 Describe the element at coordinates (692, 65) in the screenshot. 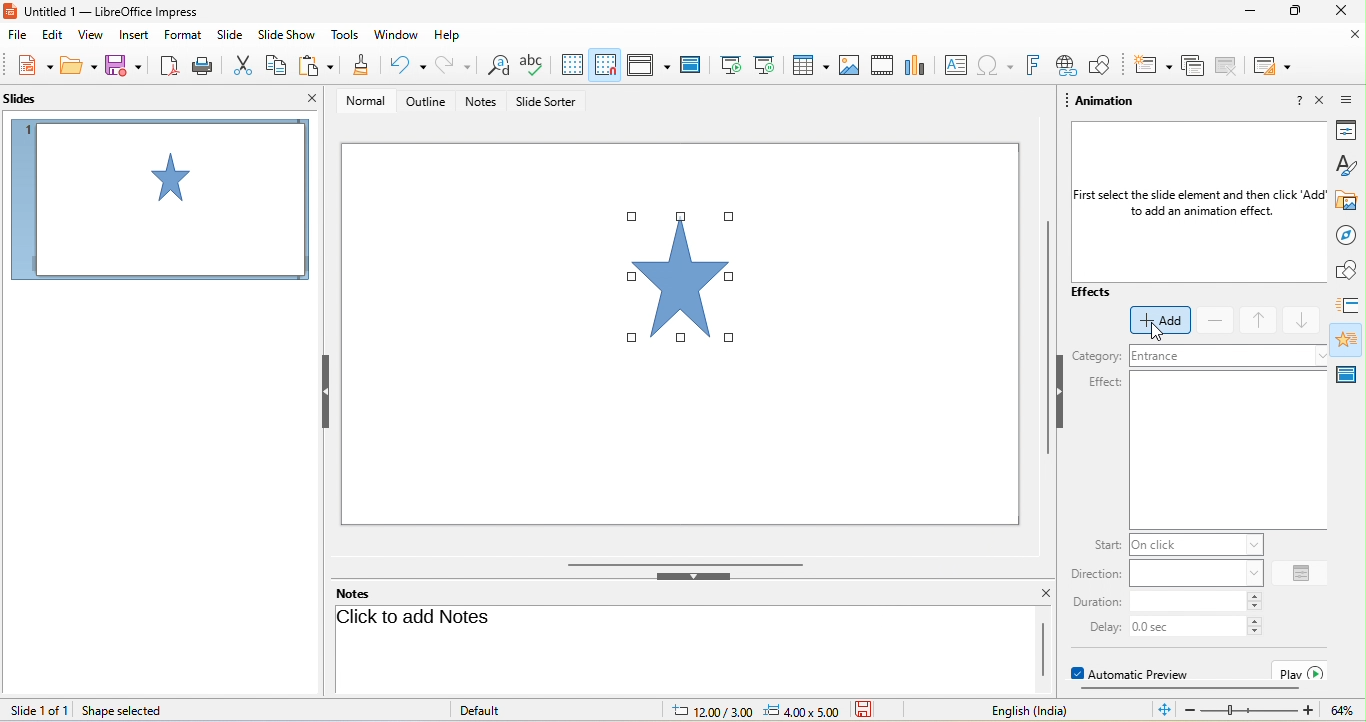

I see `master slide` at that location.